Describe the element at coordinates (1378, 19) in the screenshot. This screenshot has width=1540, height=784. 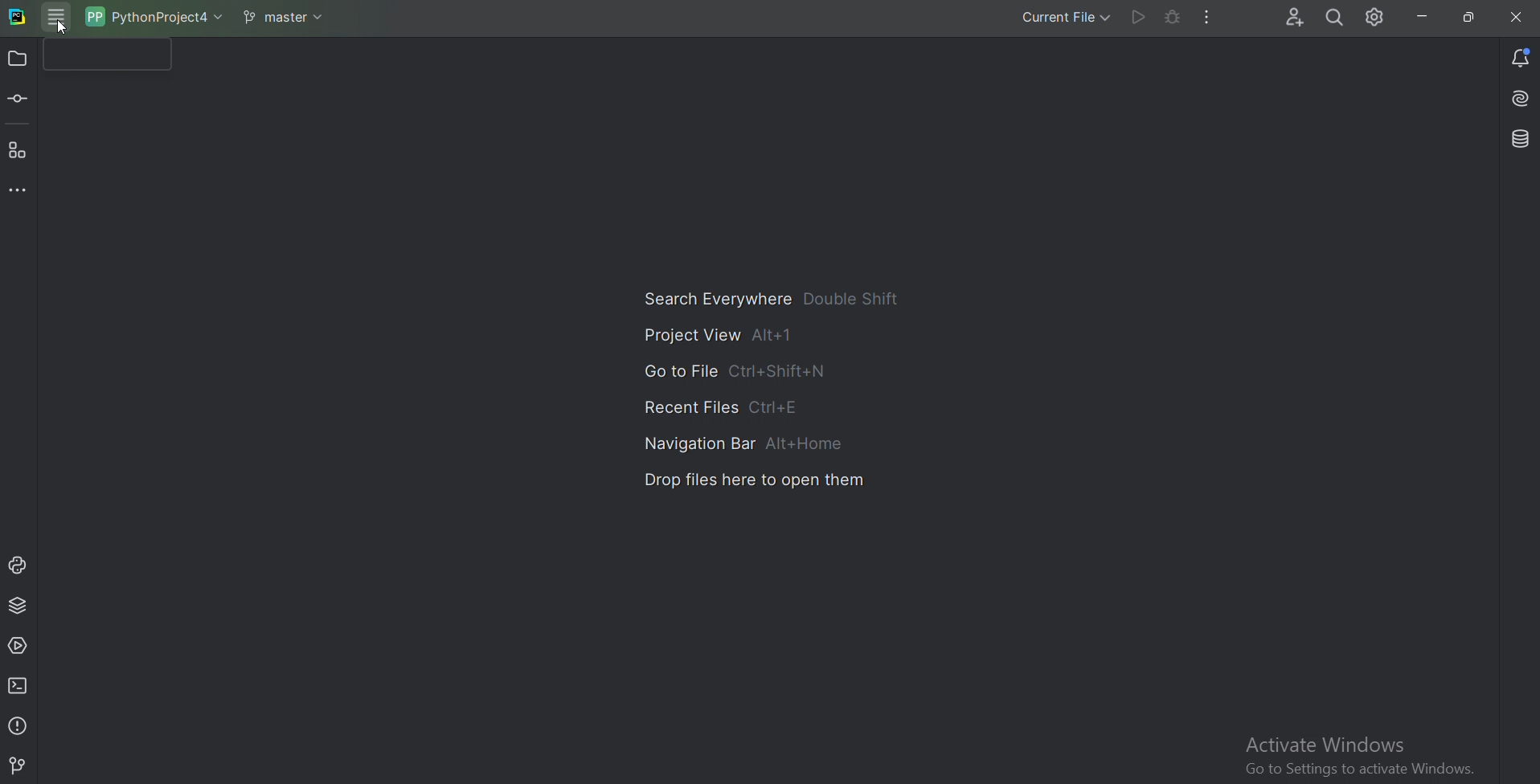
I see `Settings` at that location.